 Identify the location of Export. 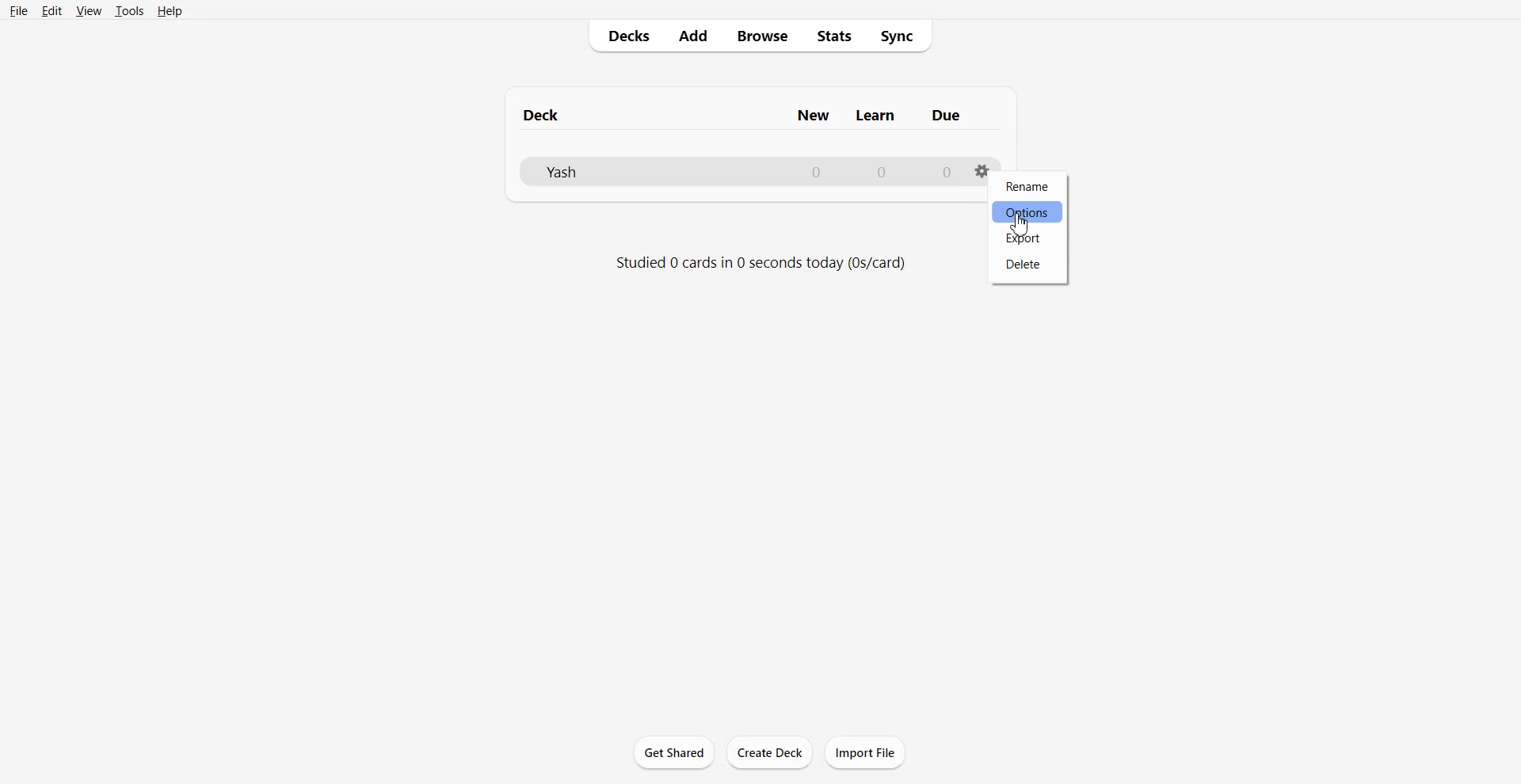
(1025, 238).